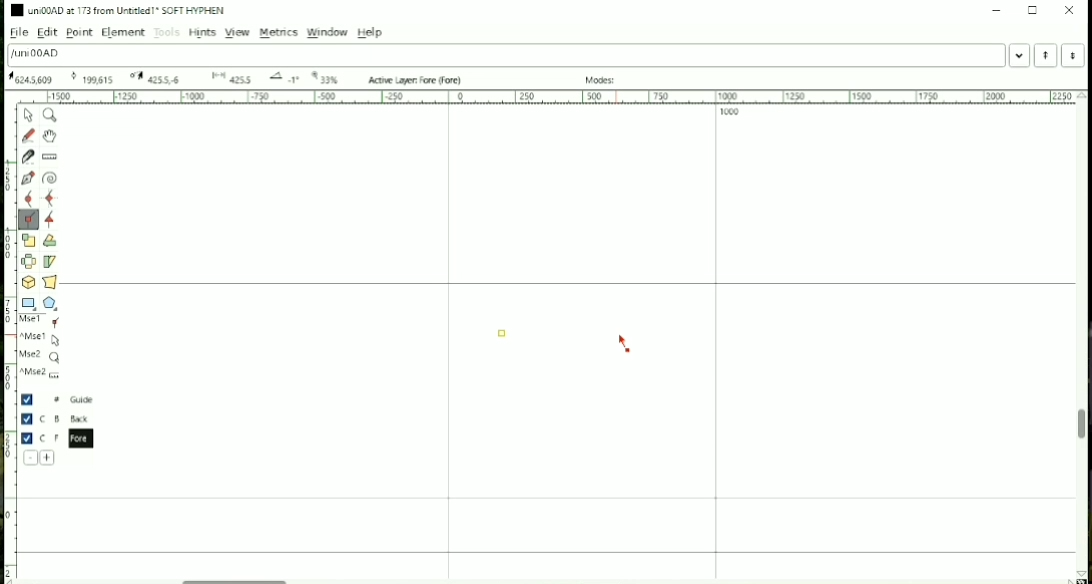  Describe the element at coordinates (1045, 55) in the screenshot. I see `Previous word` at that location.